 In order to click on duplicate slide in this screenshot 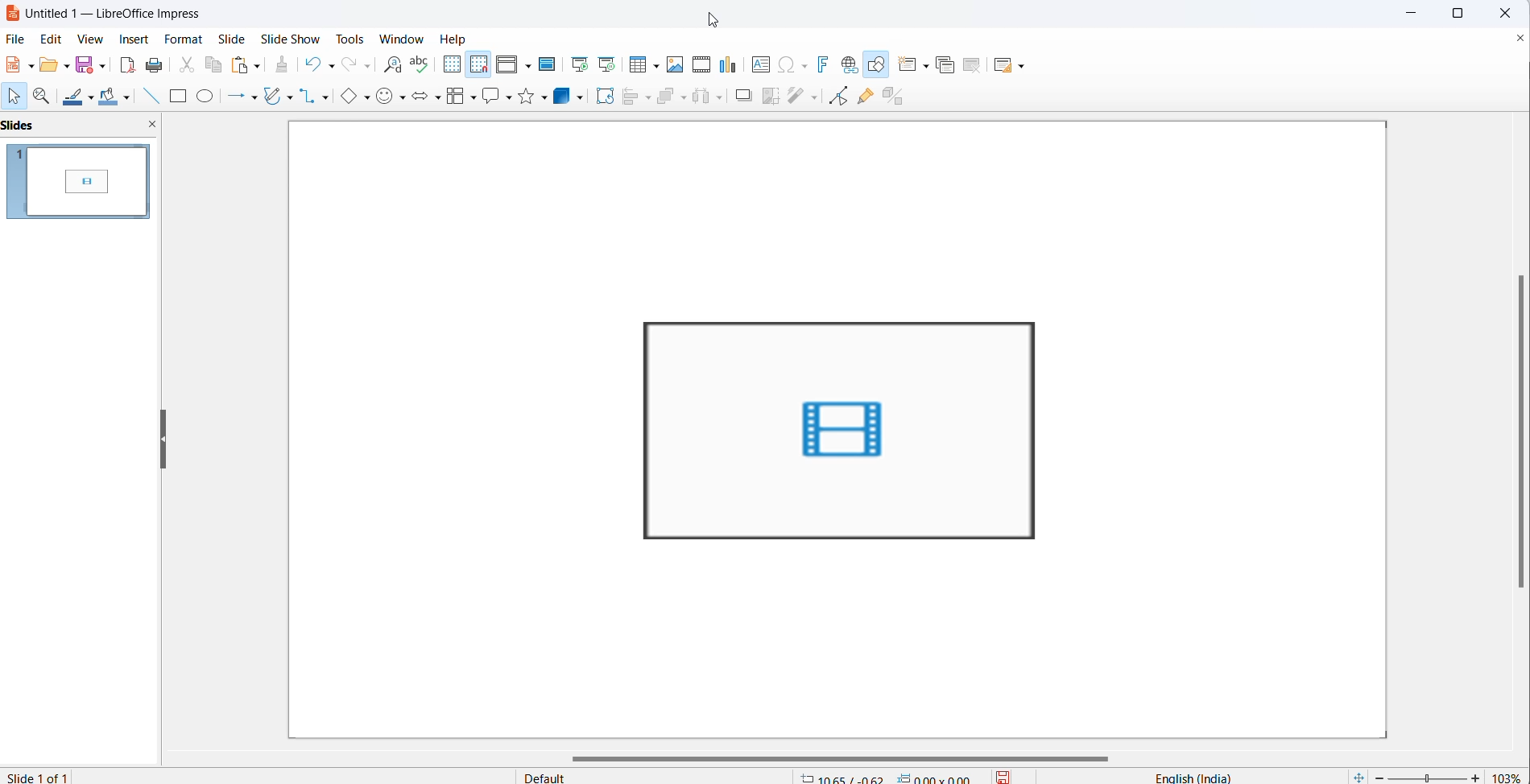, I will do `click(949, 64)`.